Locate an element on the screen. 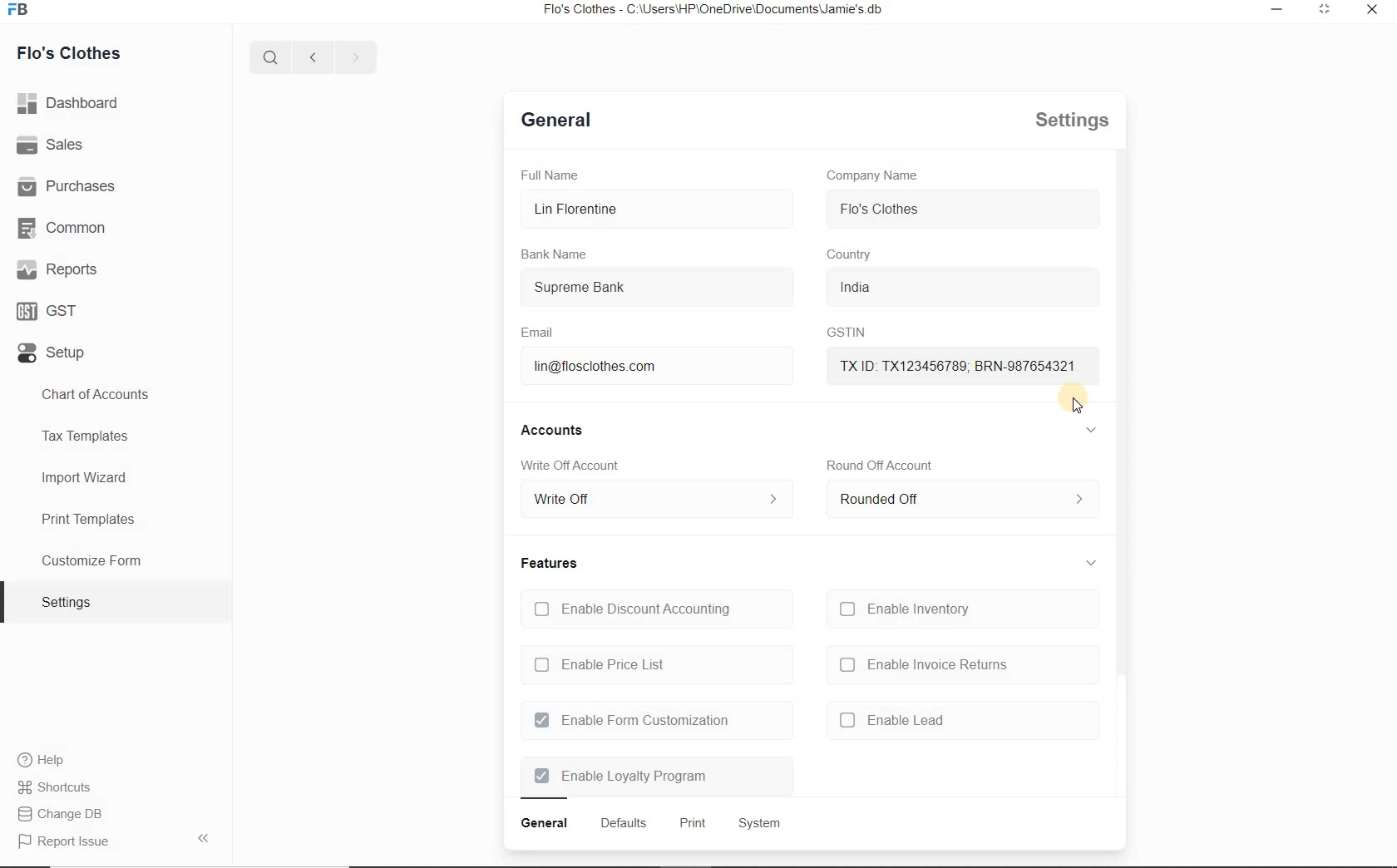 The image size is (1397, 868). collapse is located at coordinates (1092, 559).